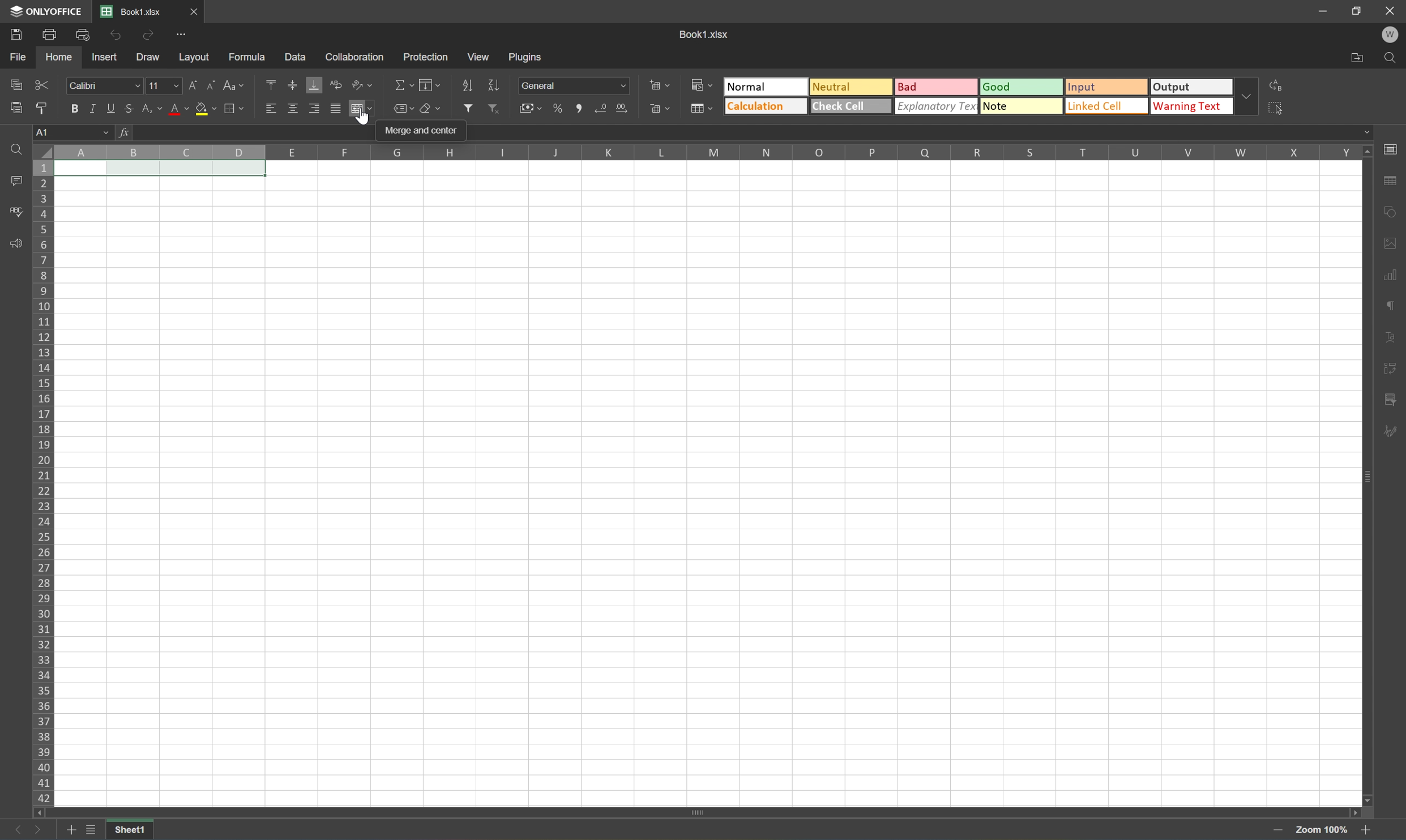  I want to click on Close, so click(1390, 11).